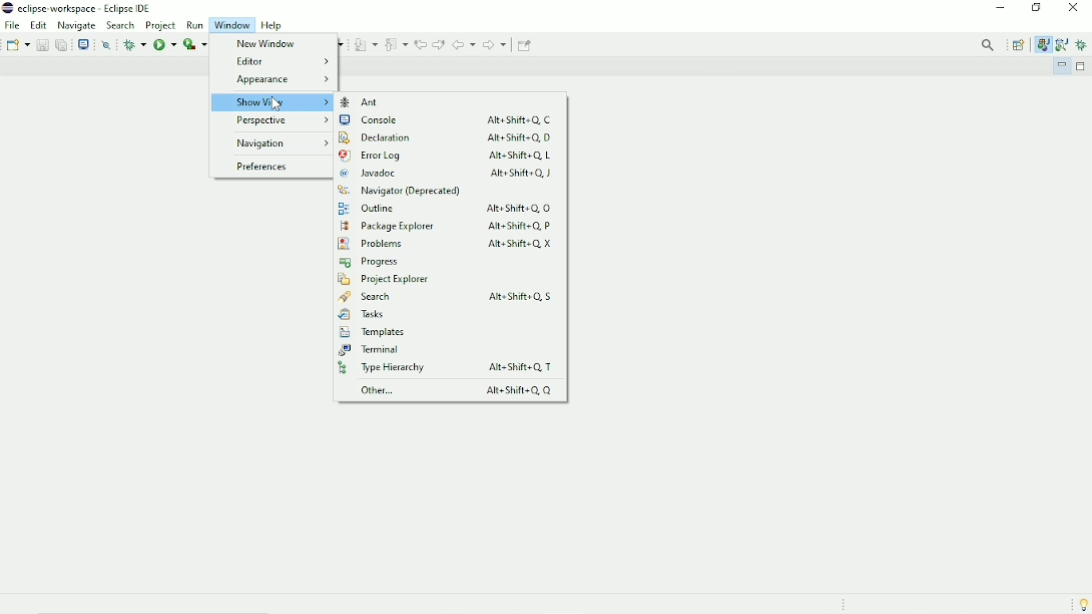 This screenshot has width=1092, height=614. Describe the element at coordinates (280, 62) in the screenshot. I see `Editor` at that location.